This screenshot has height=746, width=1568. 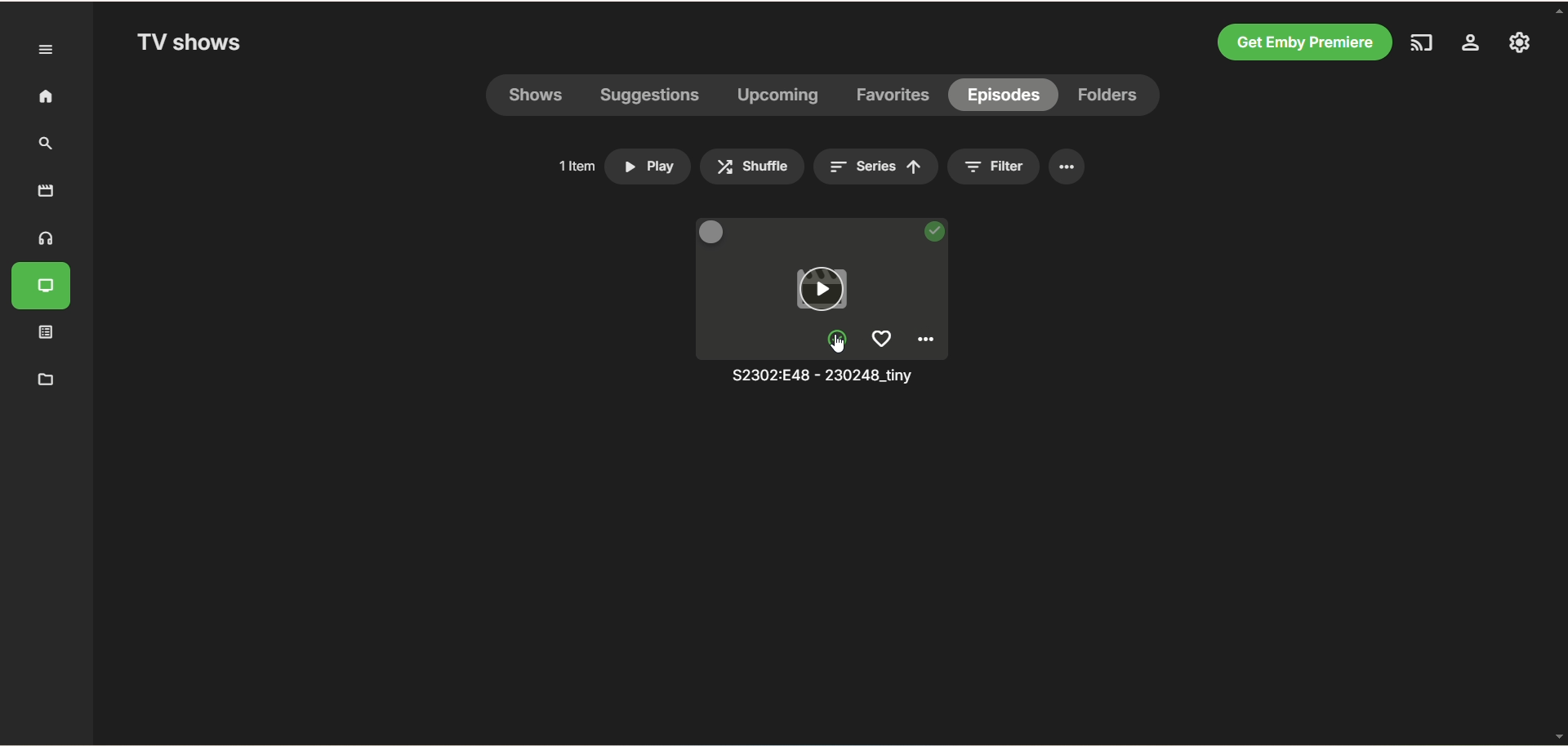 What do you see at coordinates (816, 288) in the screenshot?
I see `play` at bounding box center [816, 288].